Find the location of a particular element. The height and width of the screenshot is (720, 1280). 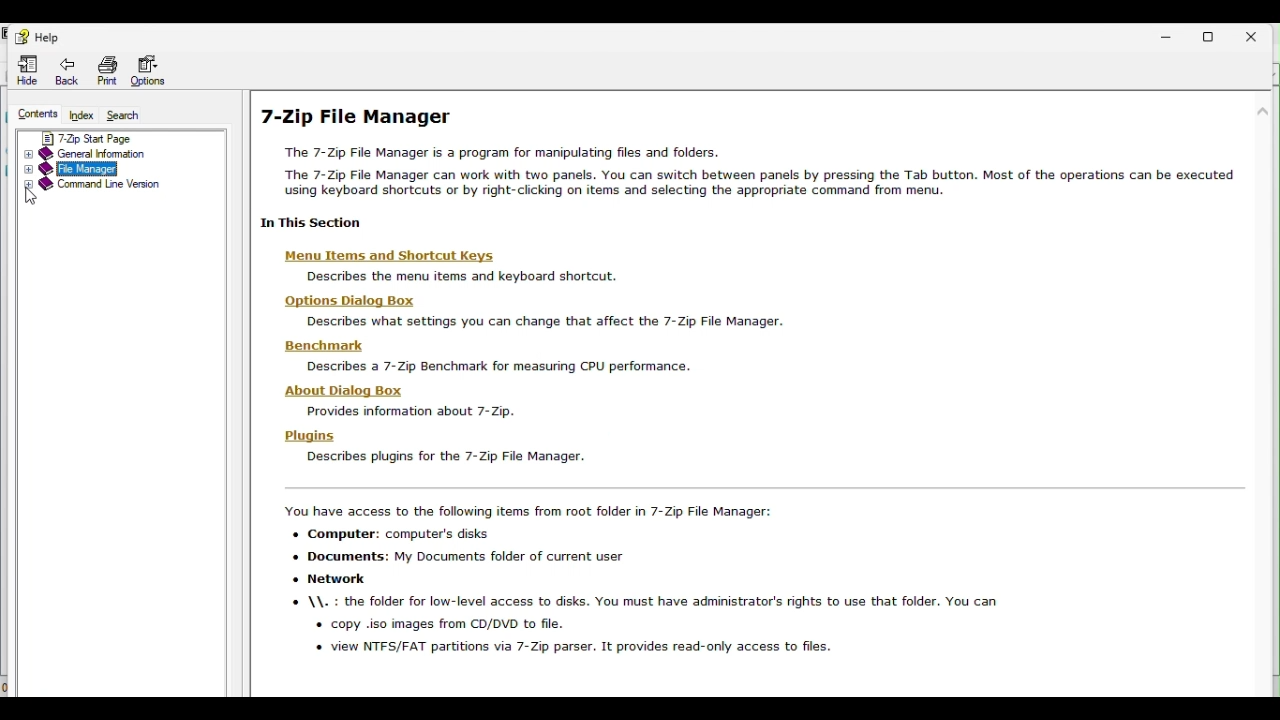

General information  is located at coordinates (91, 154).